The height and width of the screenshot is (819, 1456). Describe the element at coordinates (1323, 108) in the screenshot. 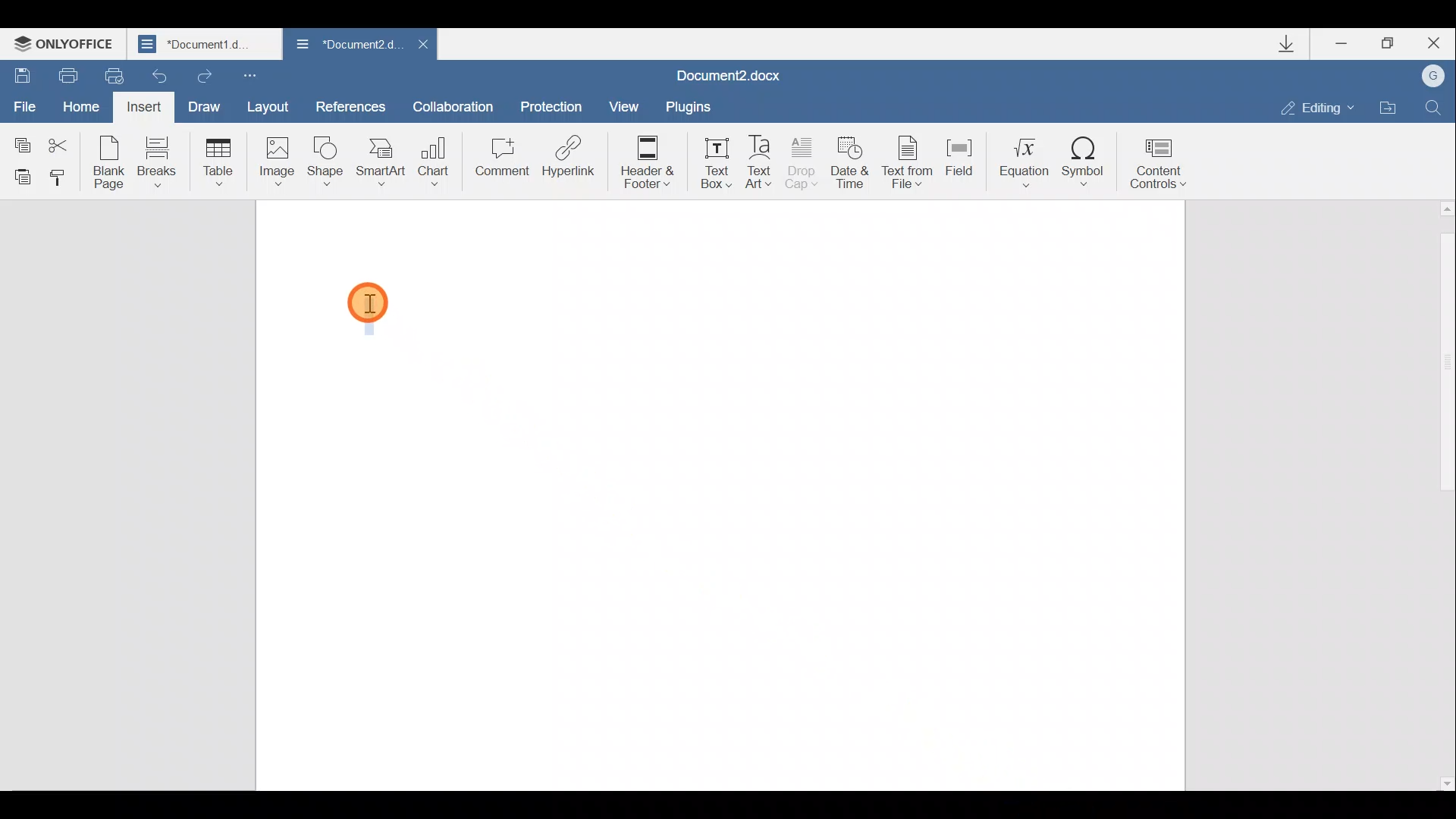

I see `Editing` at that location.